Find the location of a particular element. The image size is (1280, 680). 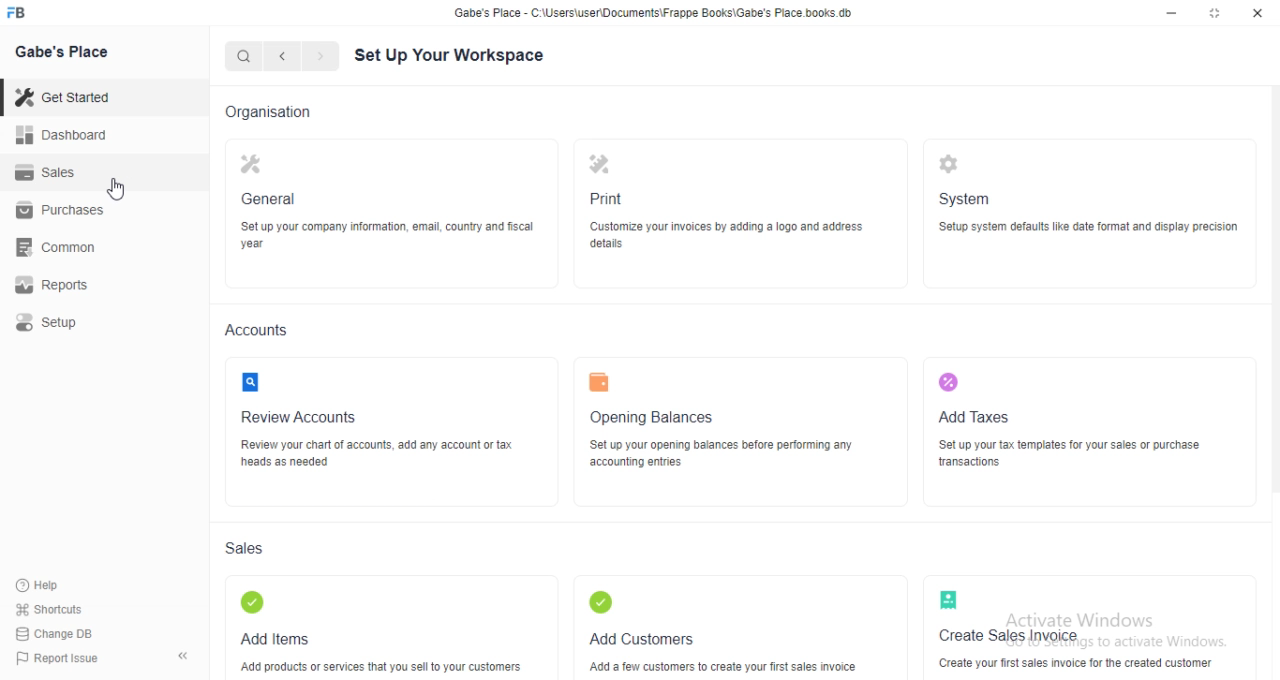

Shortcuts is located at coordinates (50, 610).